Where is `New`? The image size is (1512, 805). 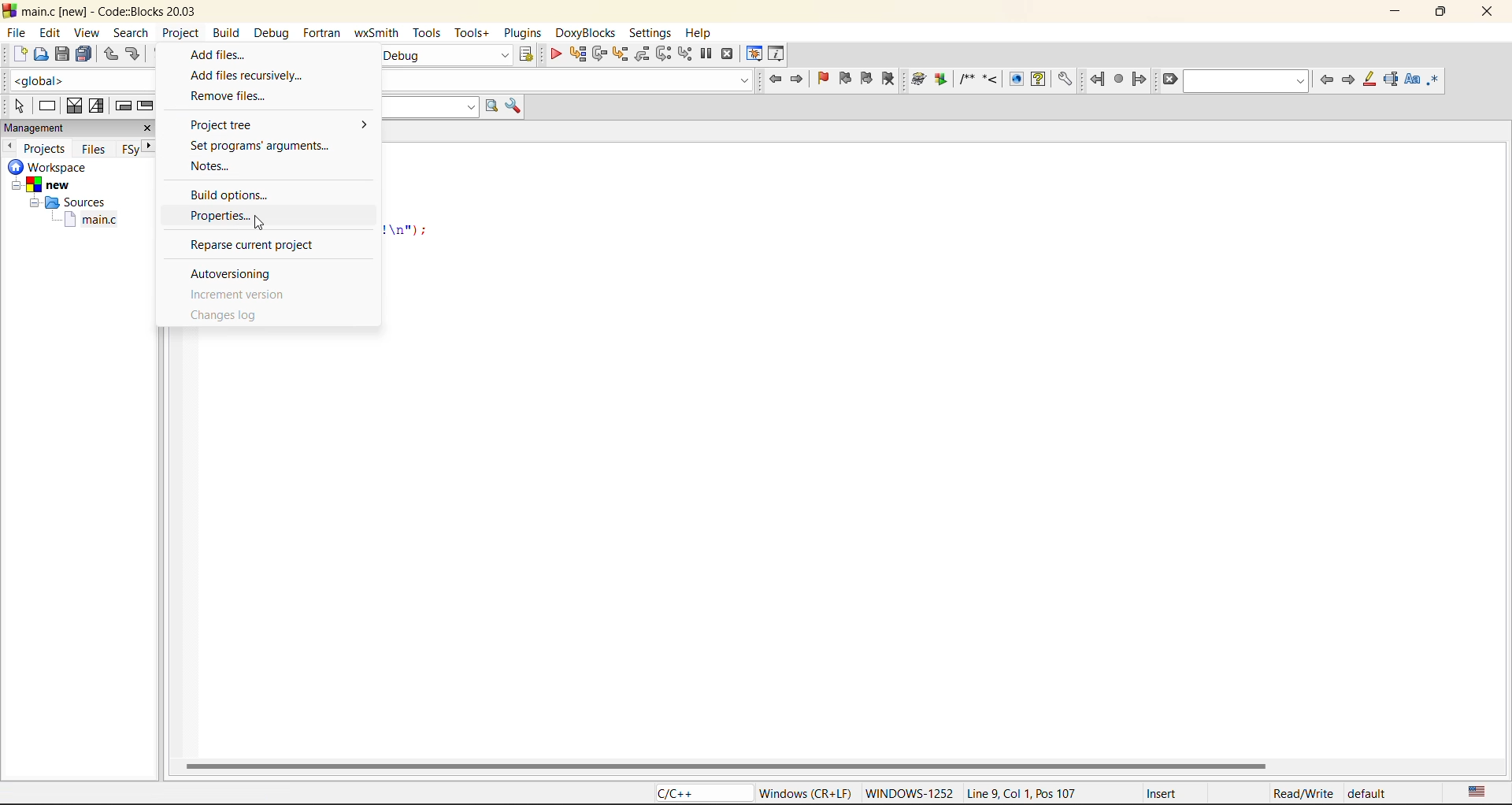
New is located at coordinates (51, 185).